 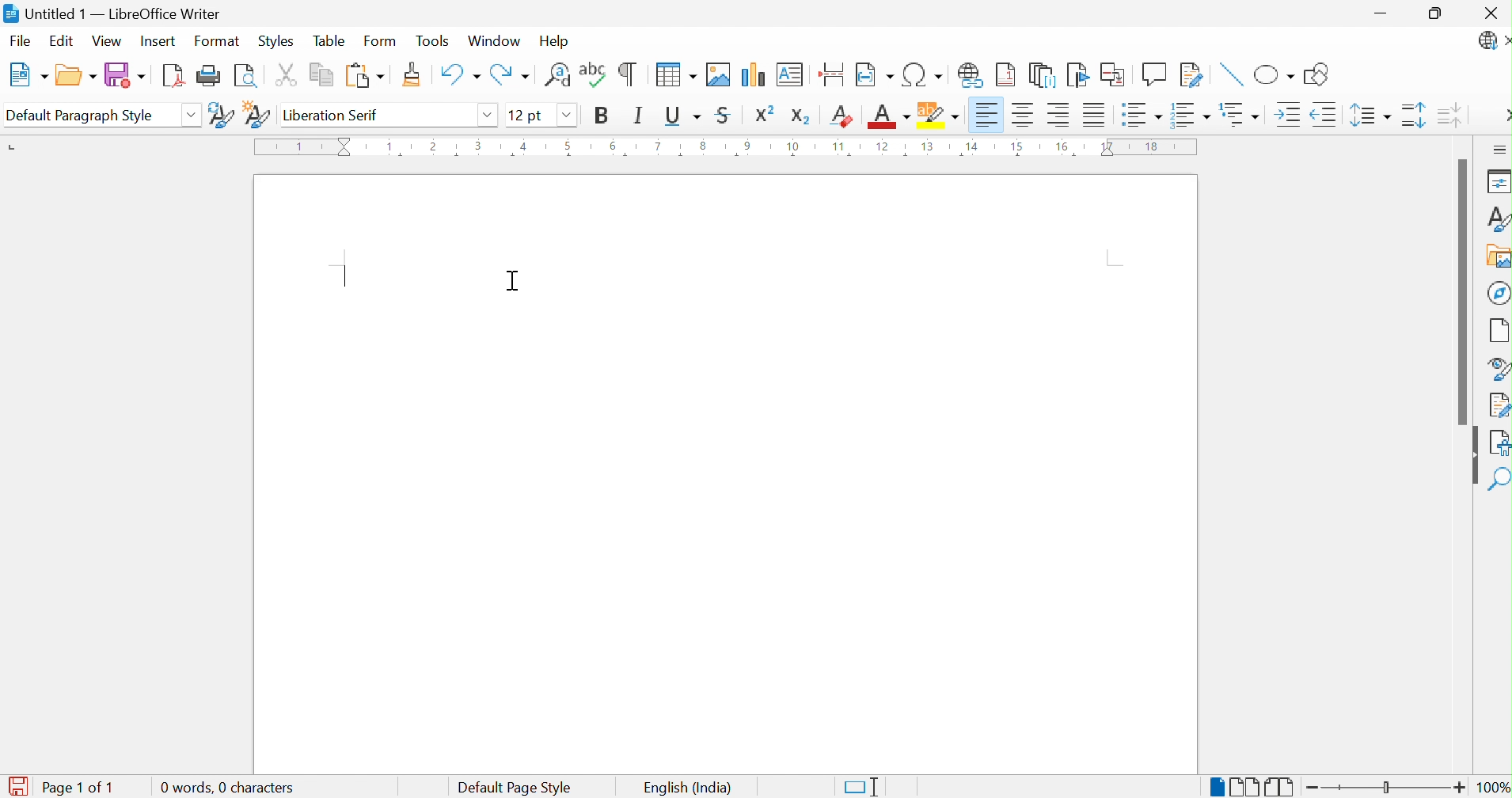 What do you see at coordinates (192, 113) in the screenshot?
I see `Drop Down` at bounding box center [192, 113].